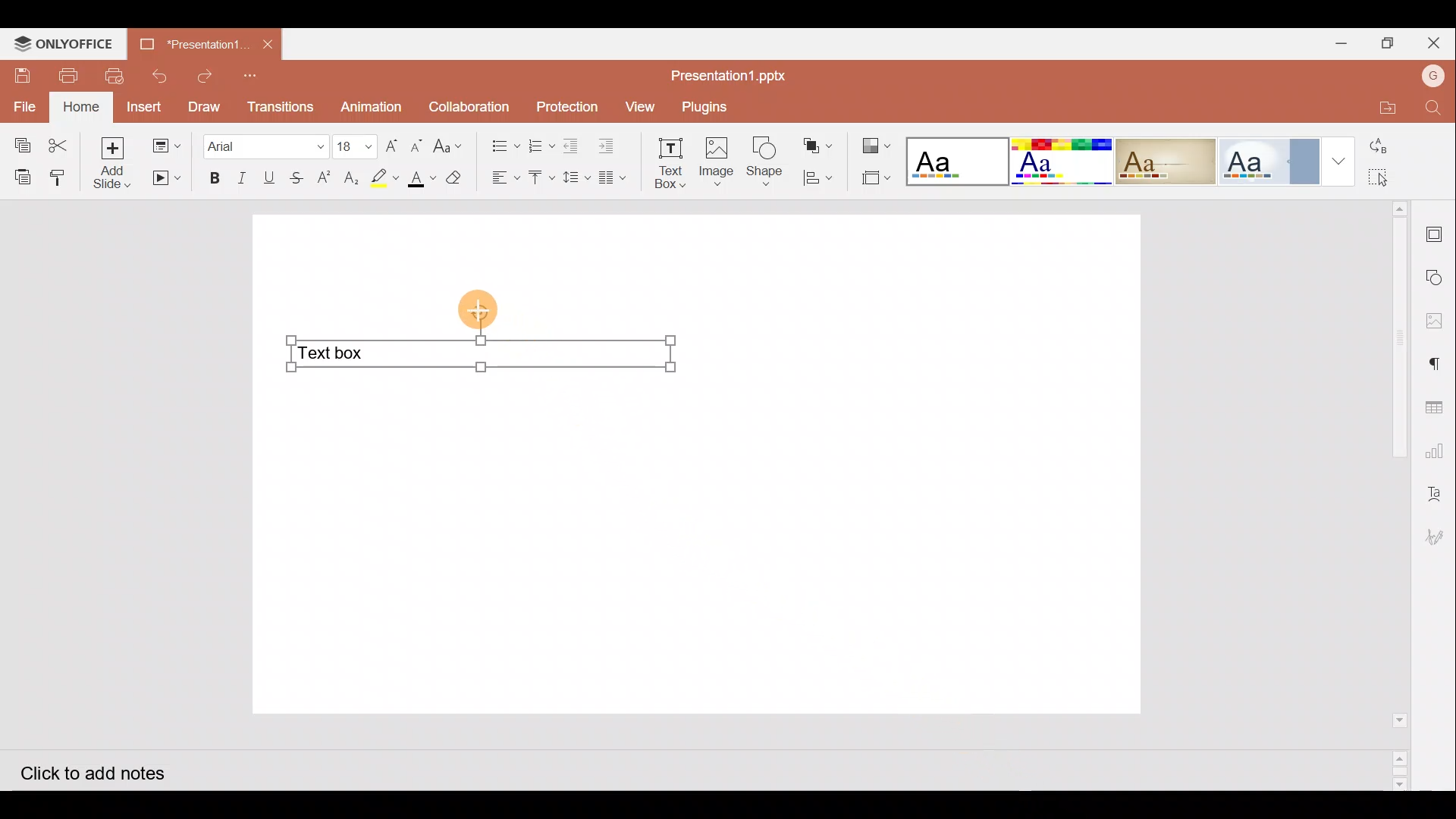 Image resolution: width=1456 pixels, height=819 pixels. I want to click on Arrange shape, so click(820, 146).